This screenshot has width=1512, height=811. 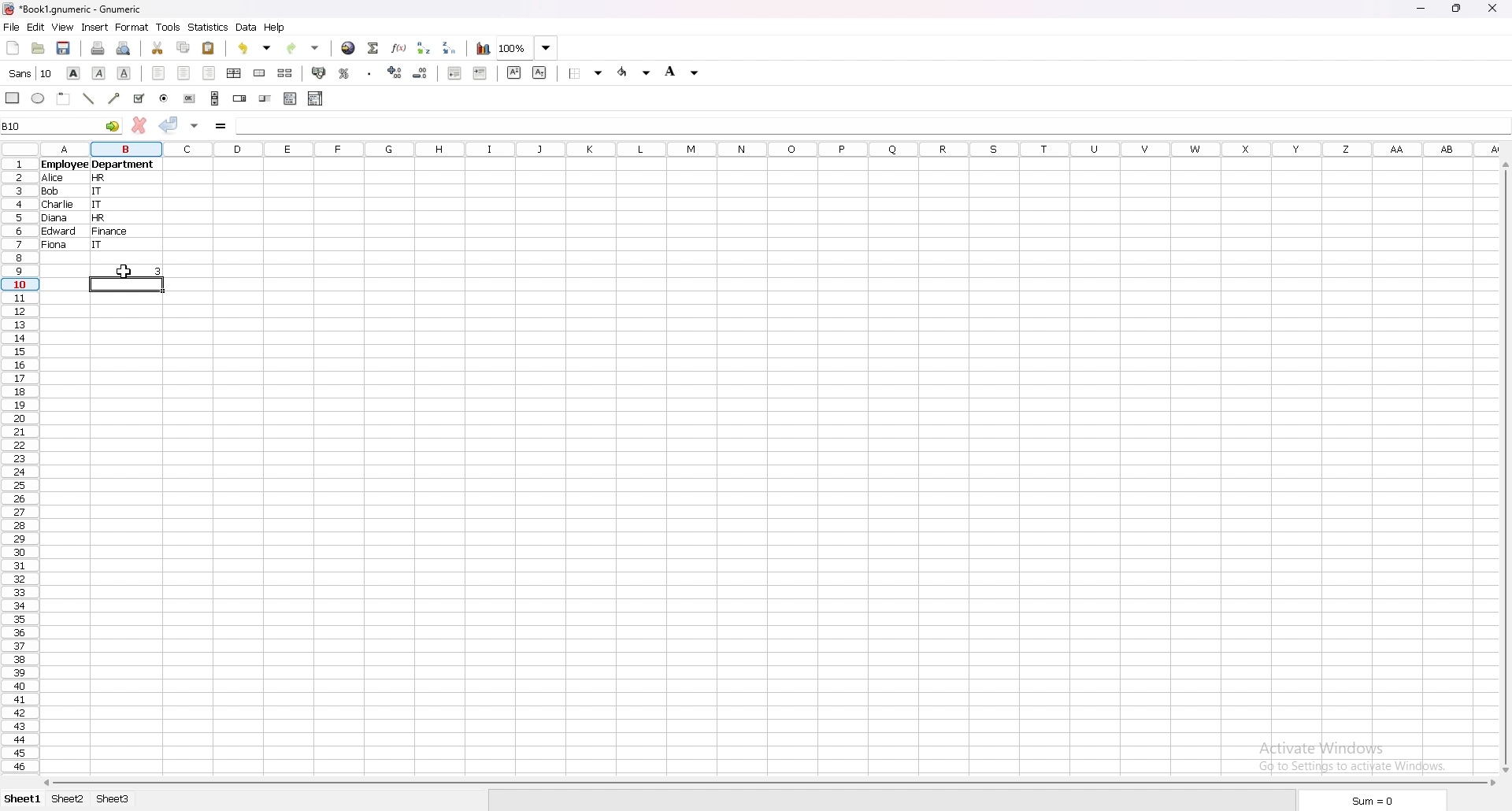 What do you see at coordinates (30, 73) in the screenshot?
I see `font` at bounding box center [30, 73].